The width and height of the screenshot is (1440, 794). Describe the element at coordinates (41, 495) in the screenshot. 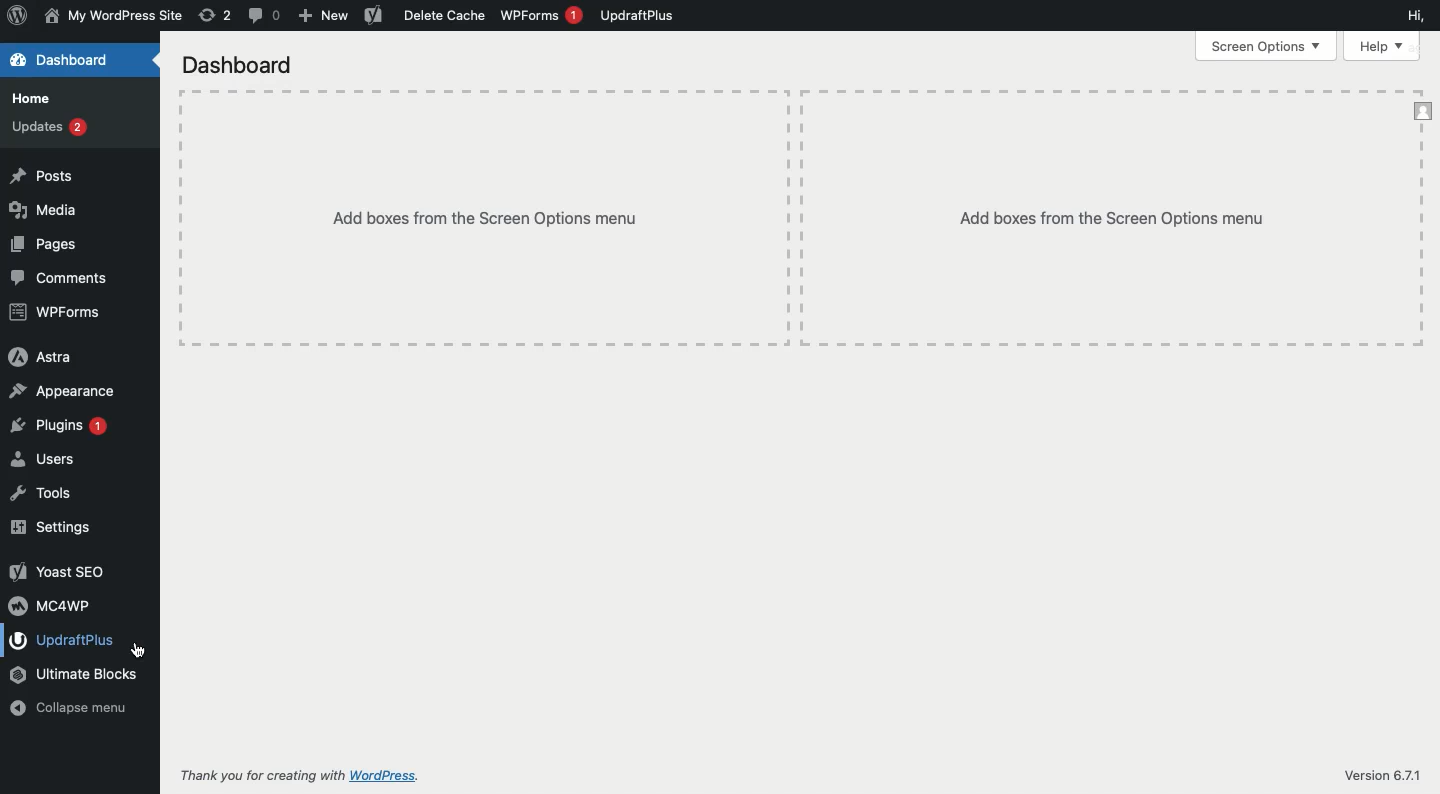

I see `Tools` at that location.